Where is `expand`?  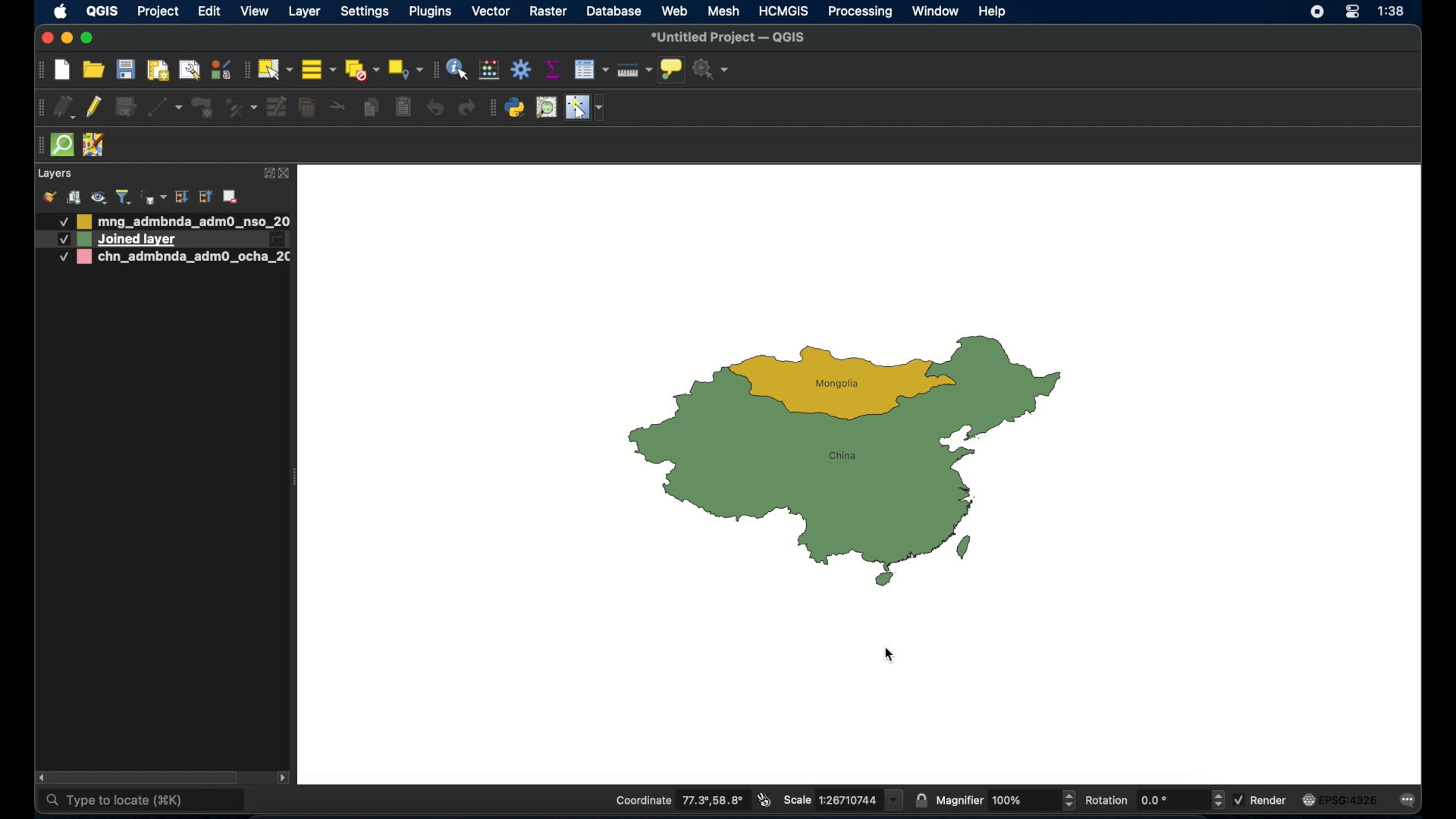
expand is located at coordinates (182, 196).